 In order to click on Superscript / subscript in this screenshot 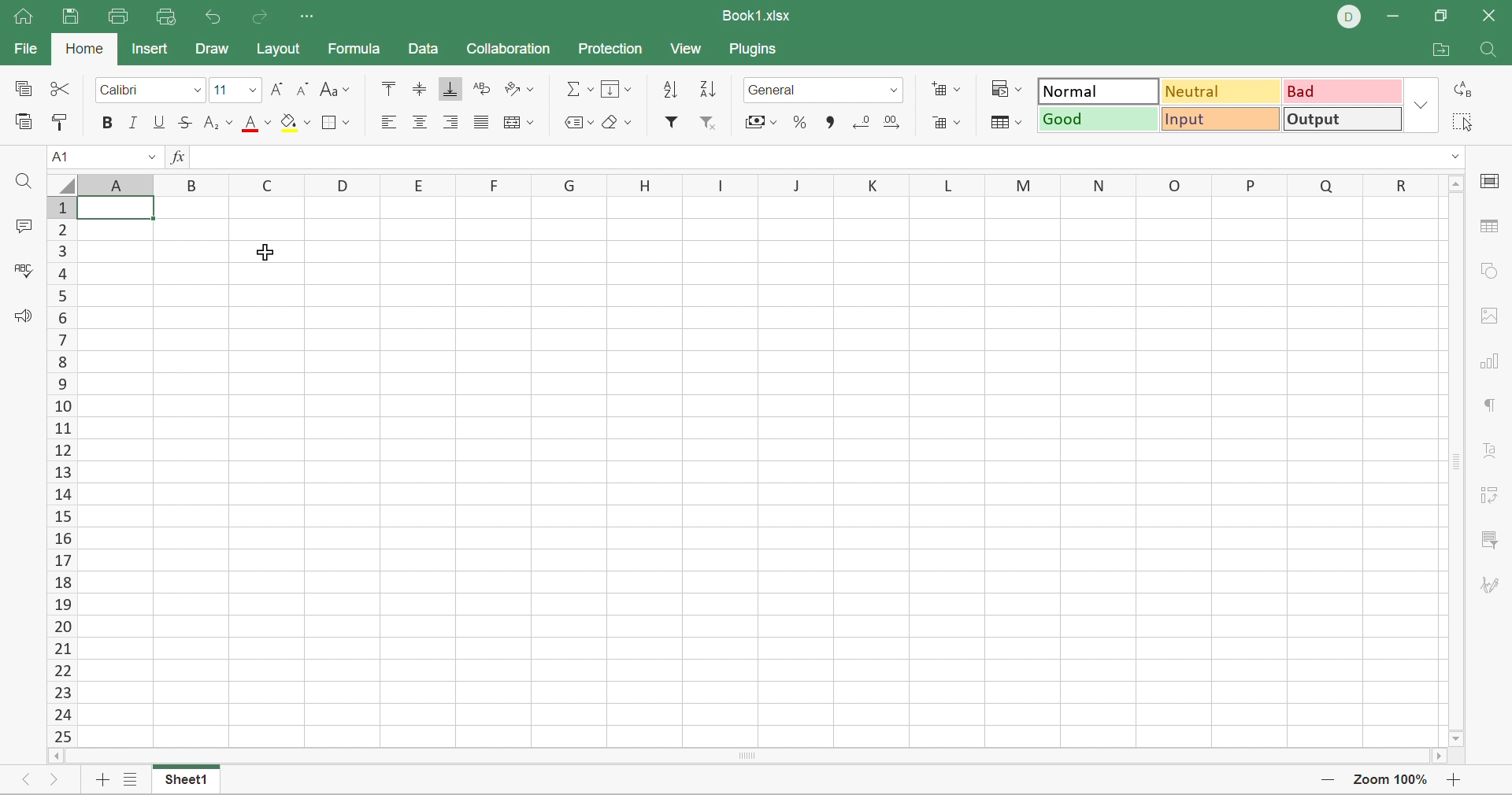, I will do `click(217, 124)`.